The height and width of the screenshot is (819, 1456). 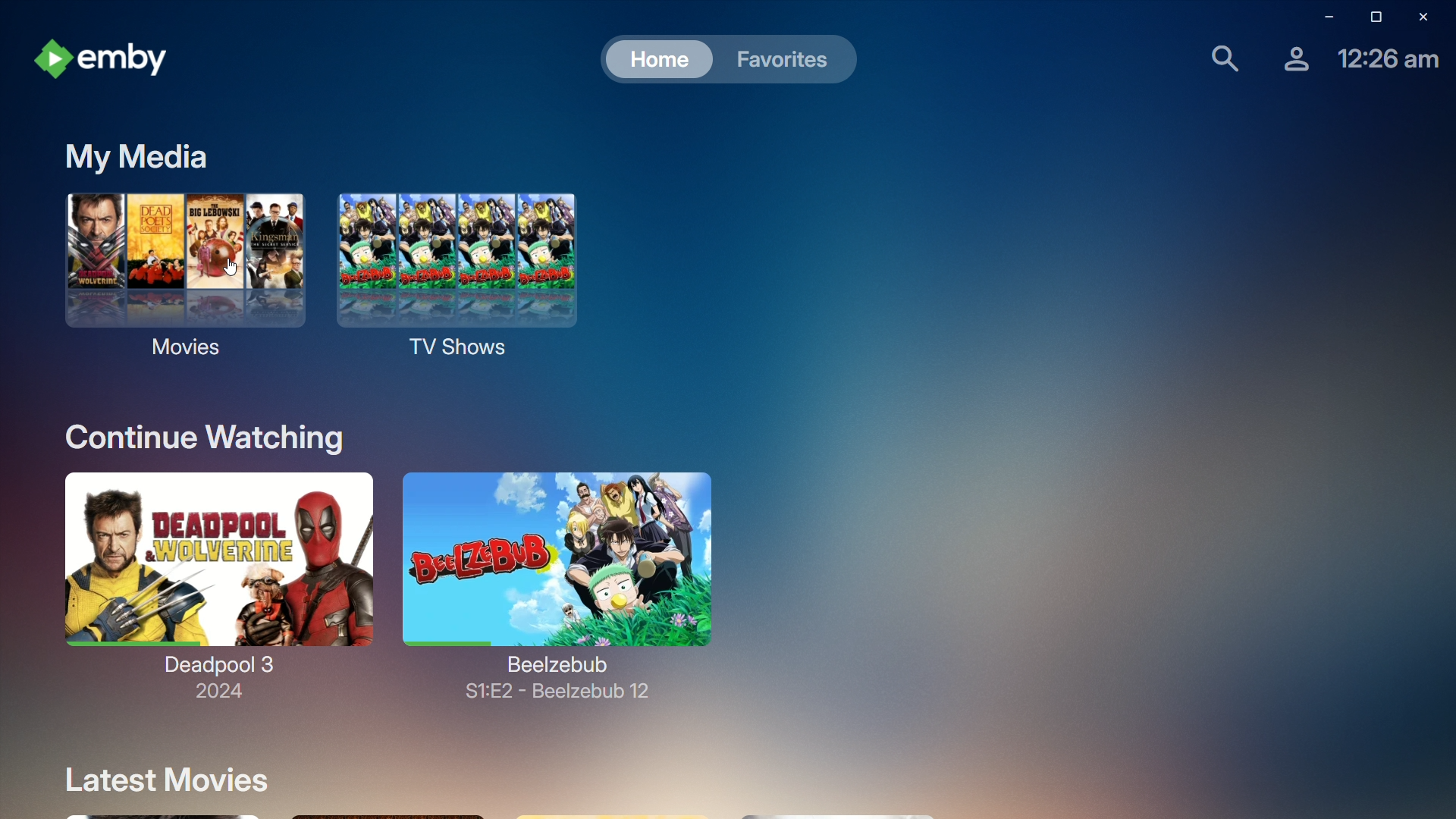 What do you see at coordinates (130, 157) in the screenshot?
I see `My Media` at bounding box center [130, 157].